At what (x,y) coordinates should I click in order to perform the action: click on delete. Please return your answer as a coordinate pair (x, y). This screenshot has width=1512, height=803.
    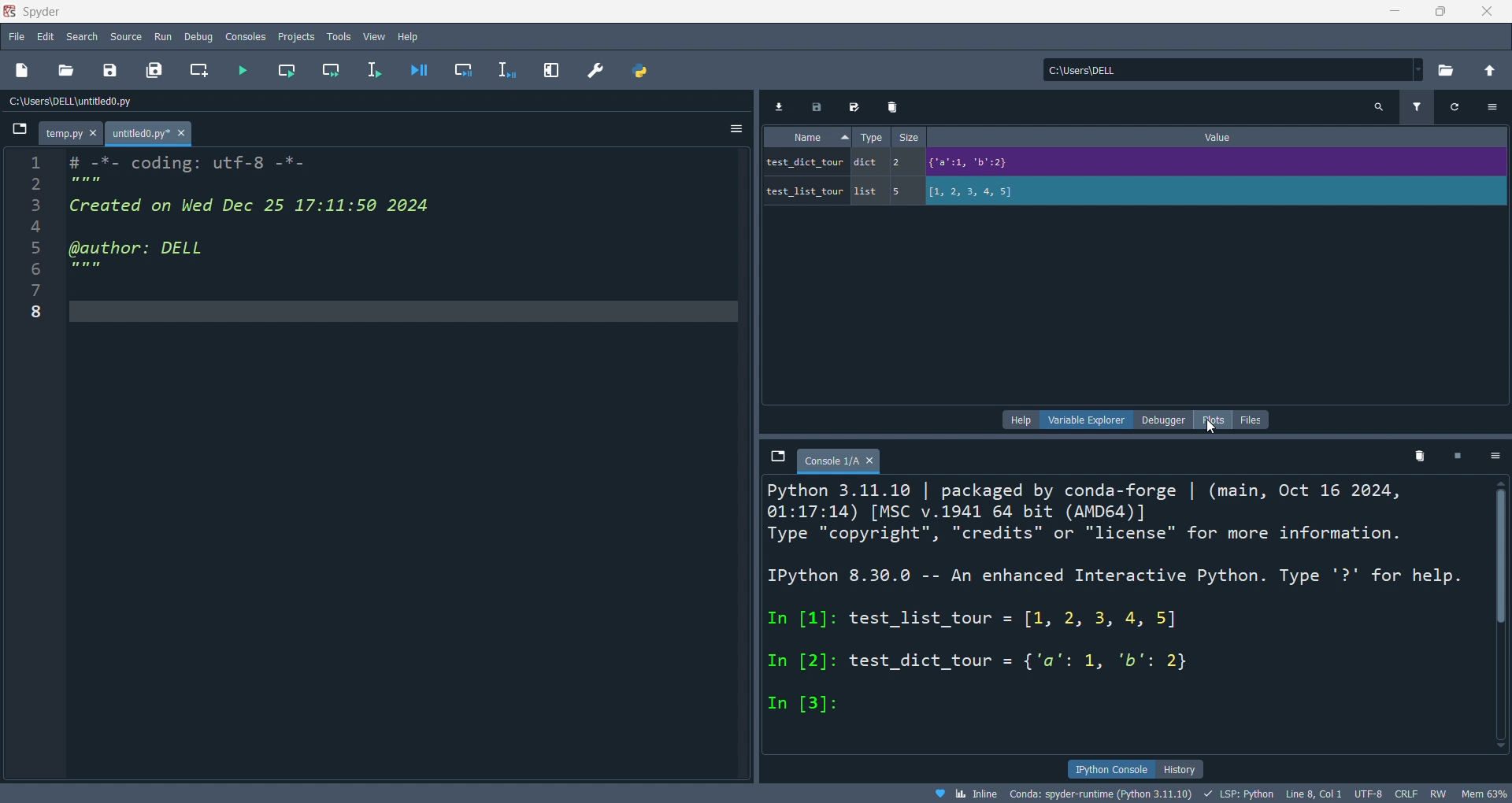
    Looking at the image, I should click on (892, 107).